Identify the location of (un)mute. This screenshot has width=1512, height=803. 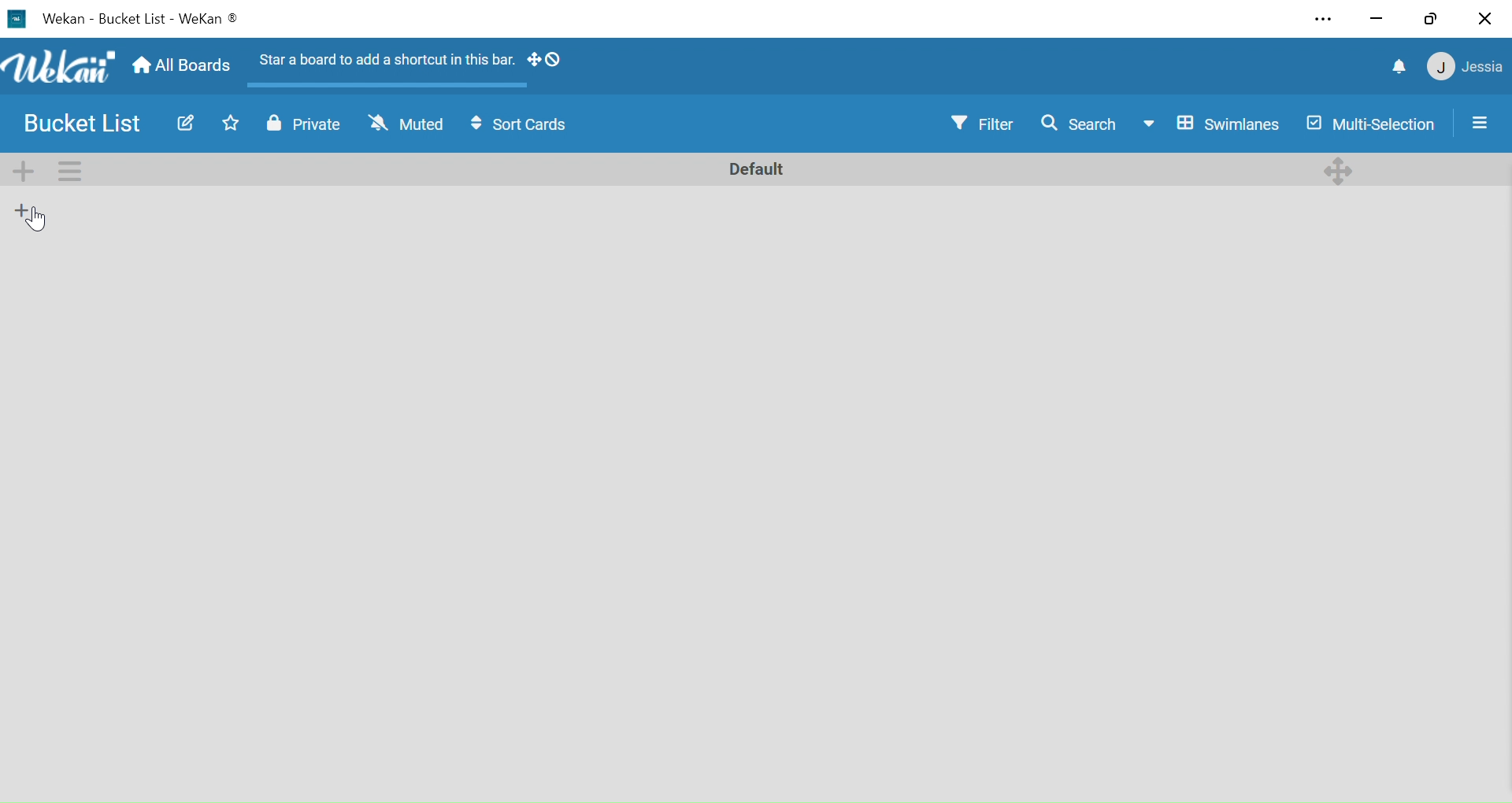
(406, 127).